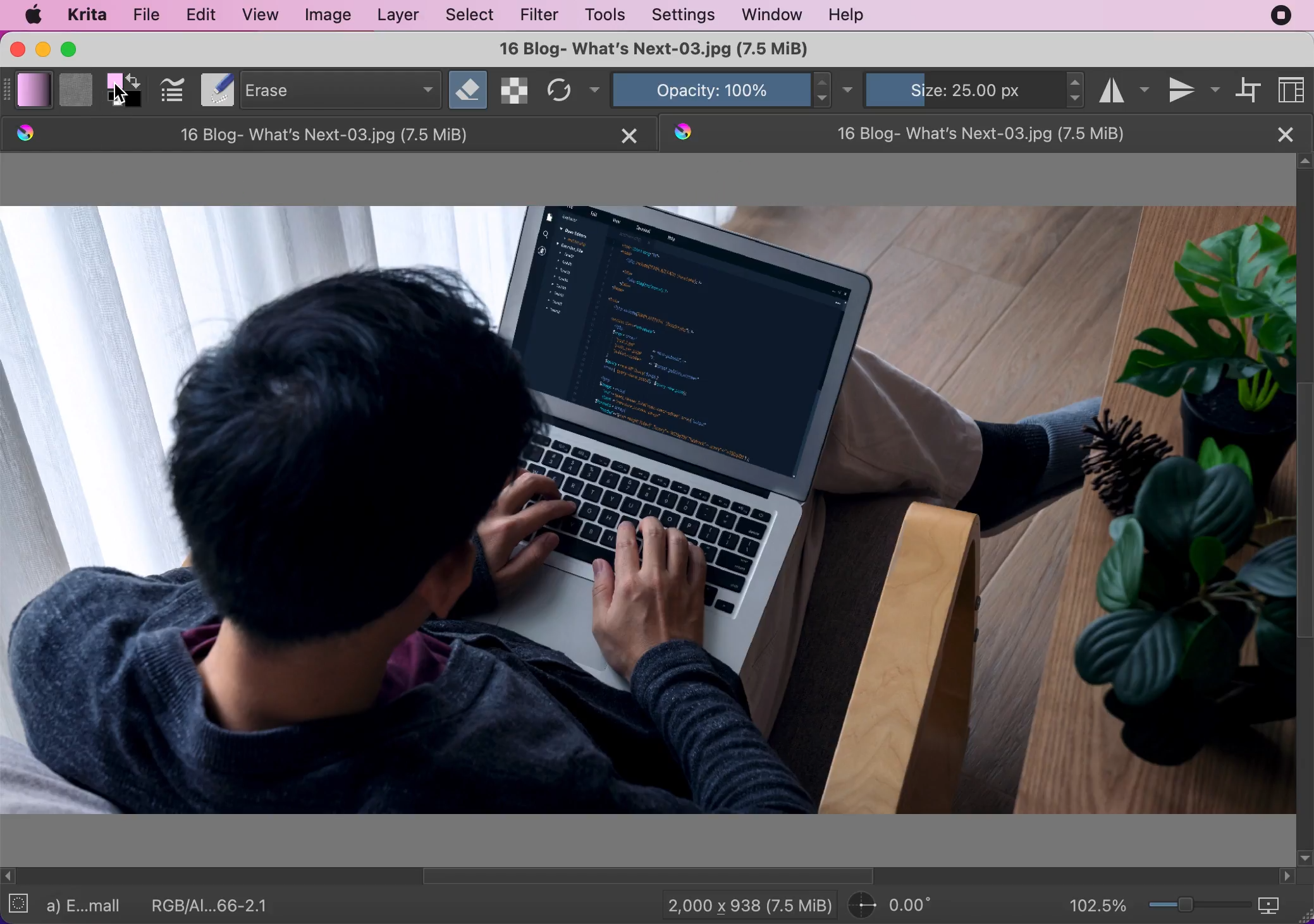  What do you see at coordinates (1283, 15) in the screenshot?
I see `recording stopped` at bounding box center [1283, 15].